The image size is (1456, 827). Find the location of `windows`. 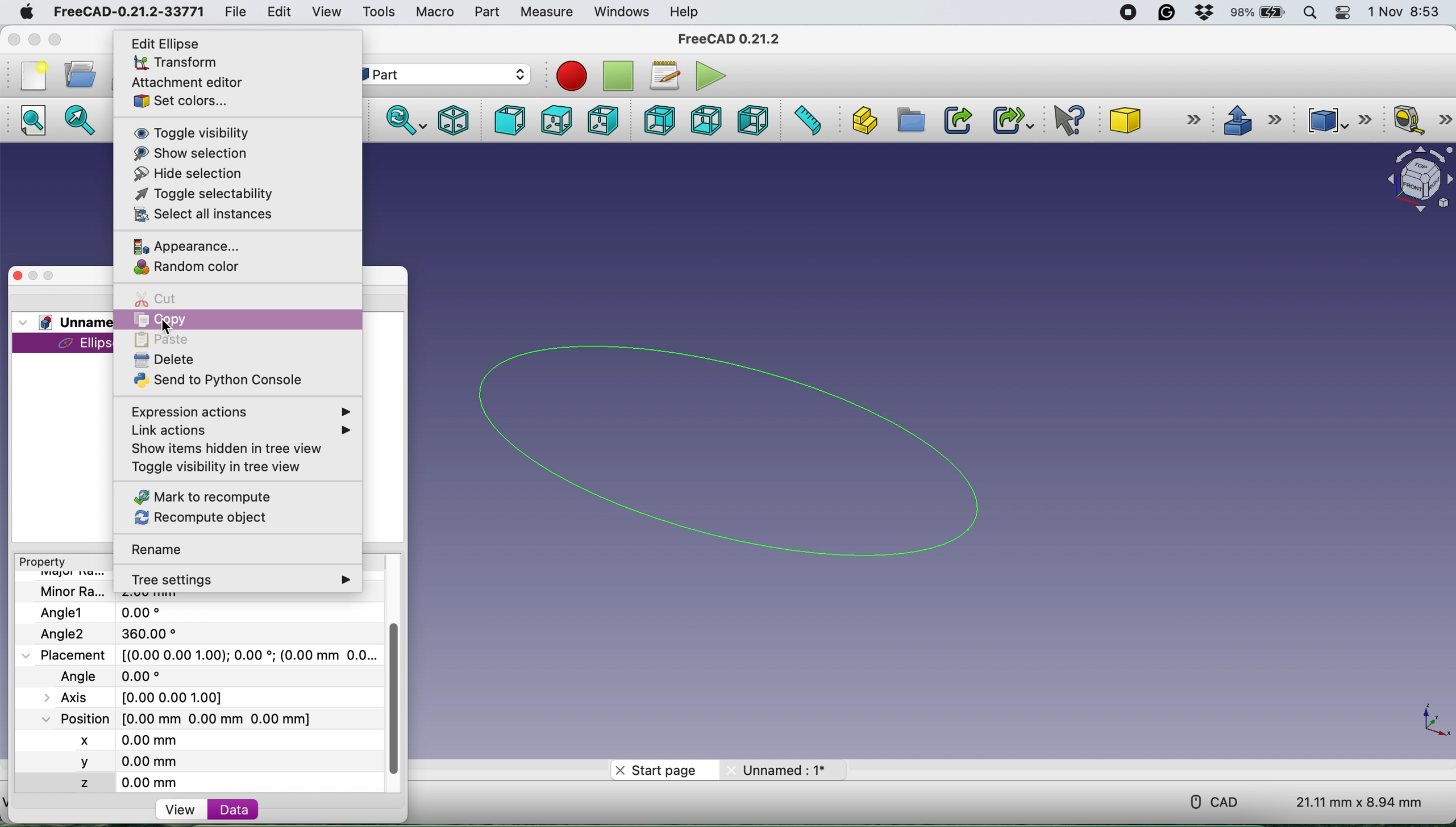

windows is located at coordinates (618, 11).